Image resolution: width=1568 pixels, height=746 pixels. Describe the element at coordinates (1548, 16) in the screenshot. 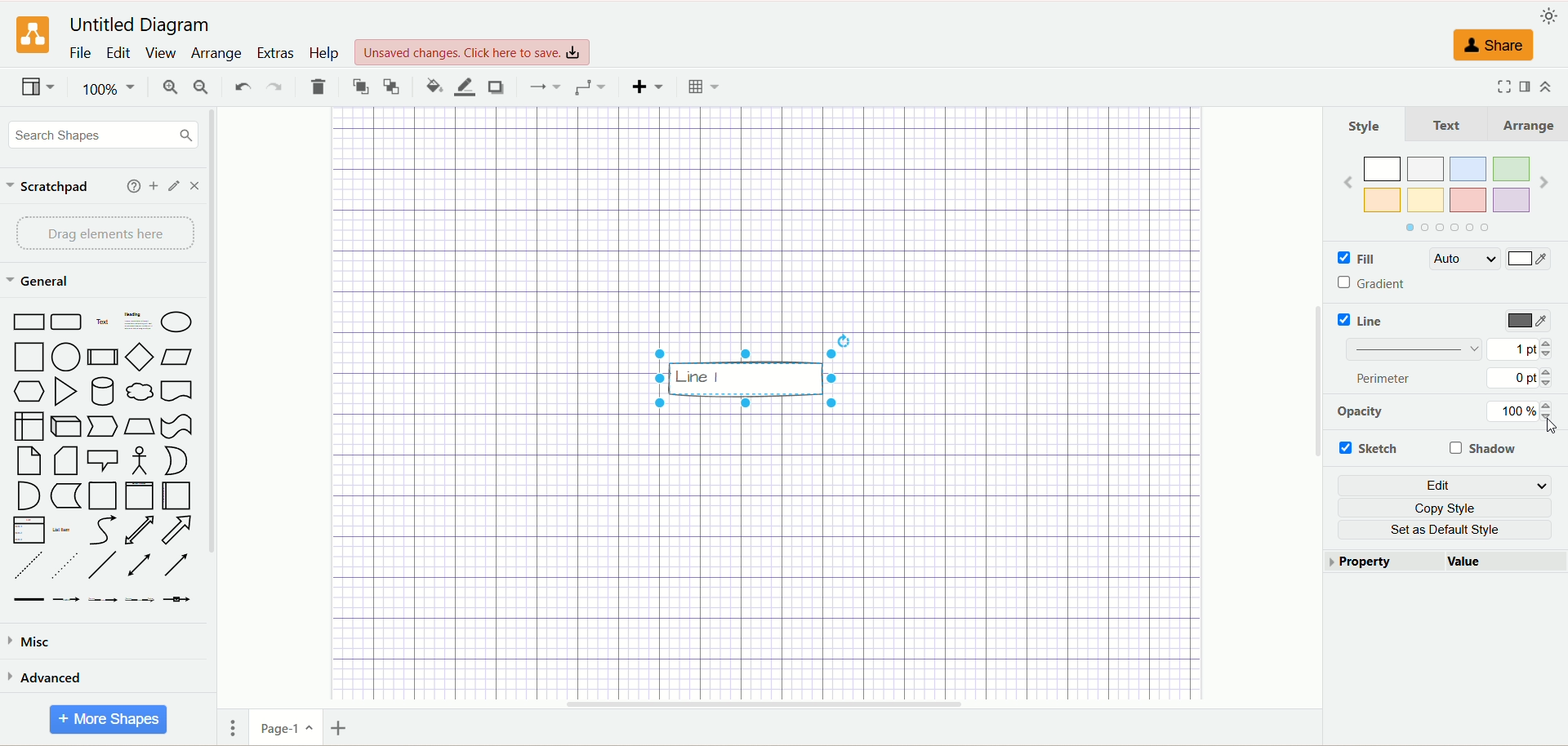

I see `appearance` at that location.